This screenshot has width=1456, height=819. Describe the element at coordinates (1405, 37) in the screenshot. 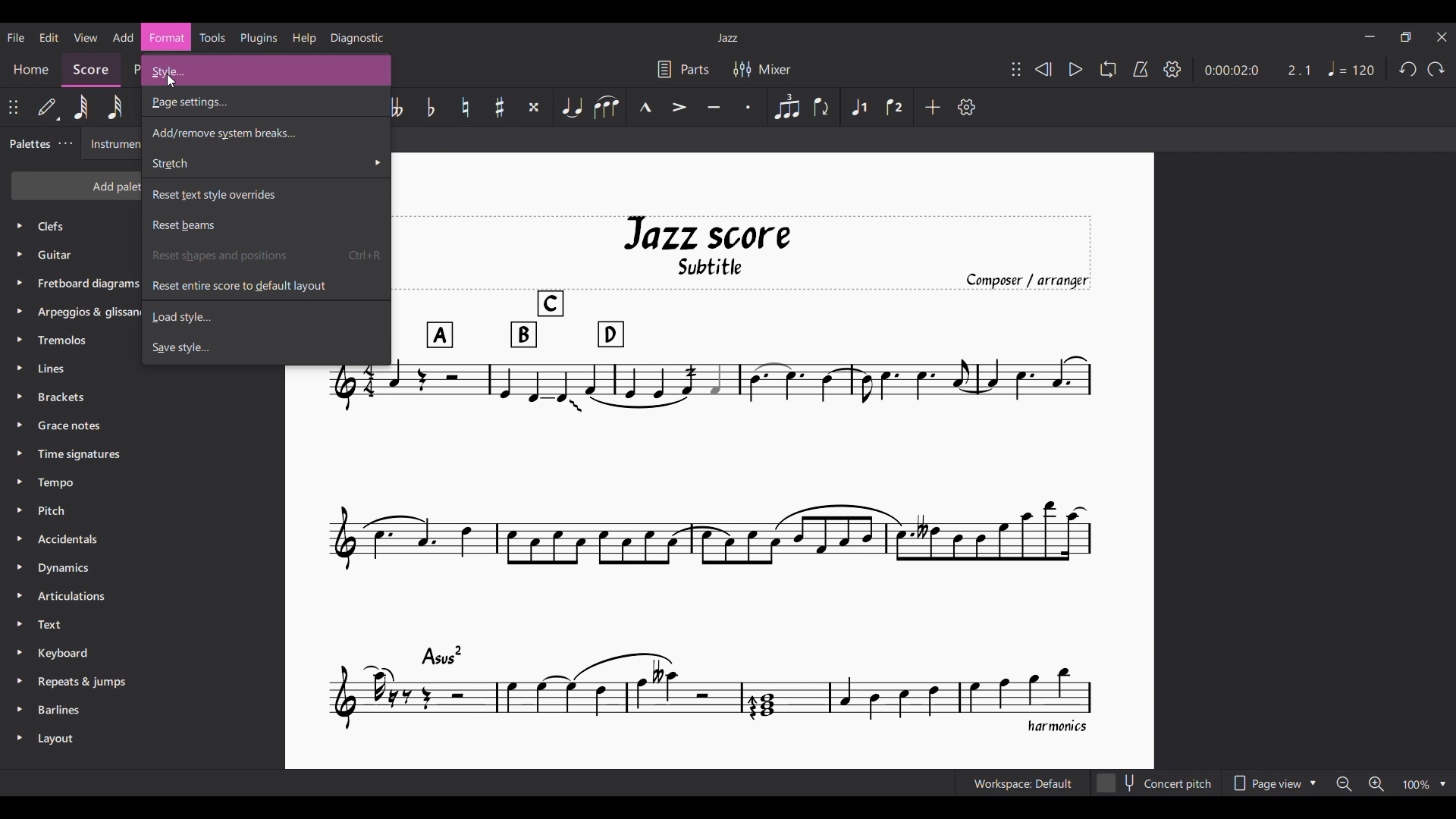

I see `Show in smaller tab` at that location.